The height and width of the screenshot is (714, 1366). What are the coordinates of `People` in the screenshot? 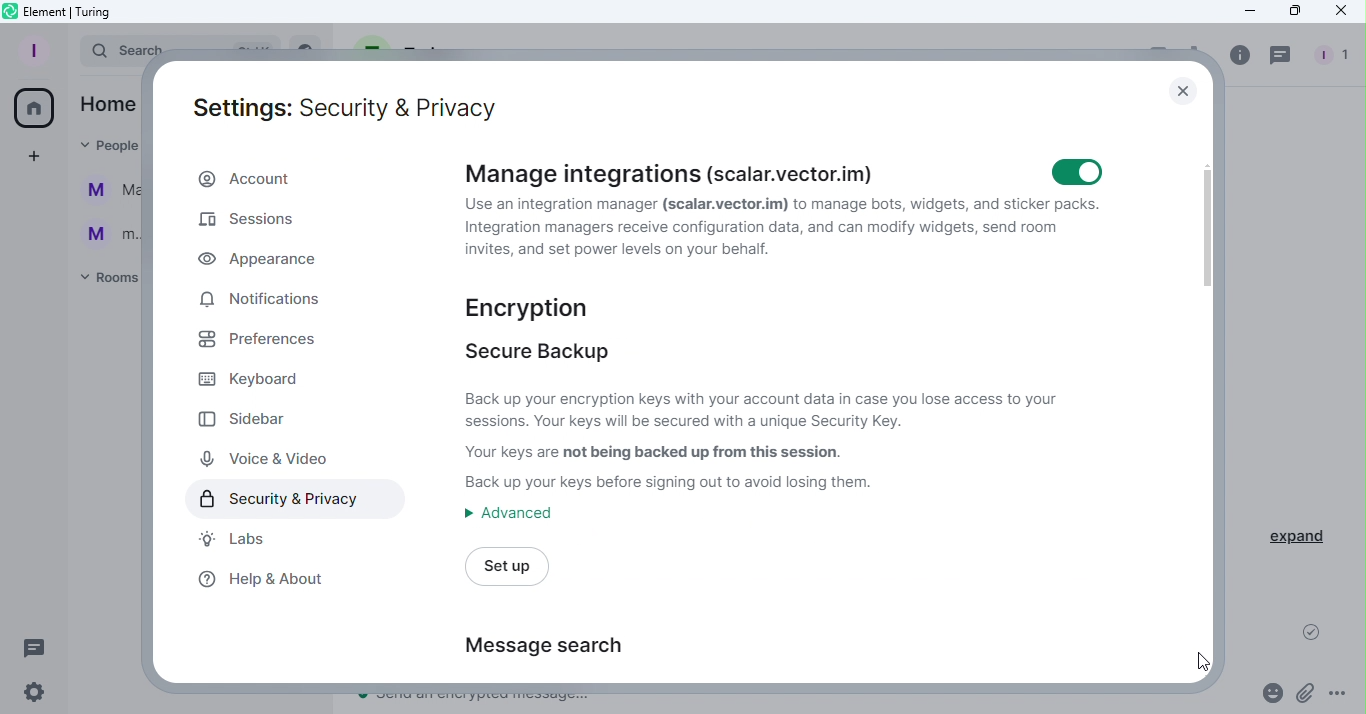 It's located at (101, 145).